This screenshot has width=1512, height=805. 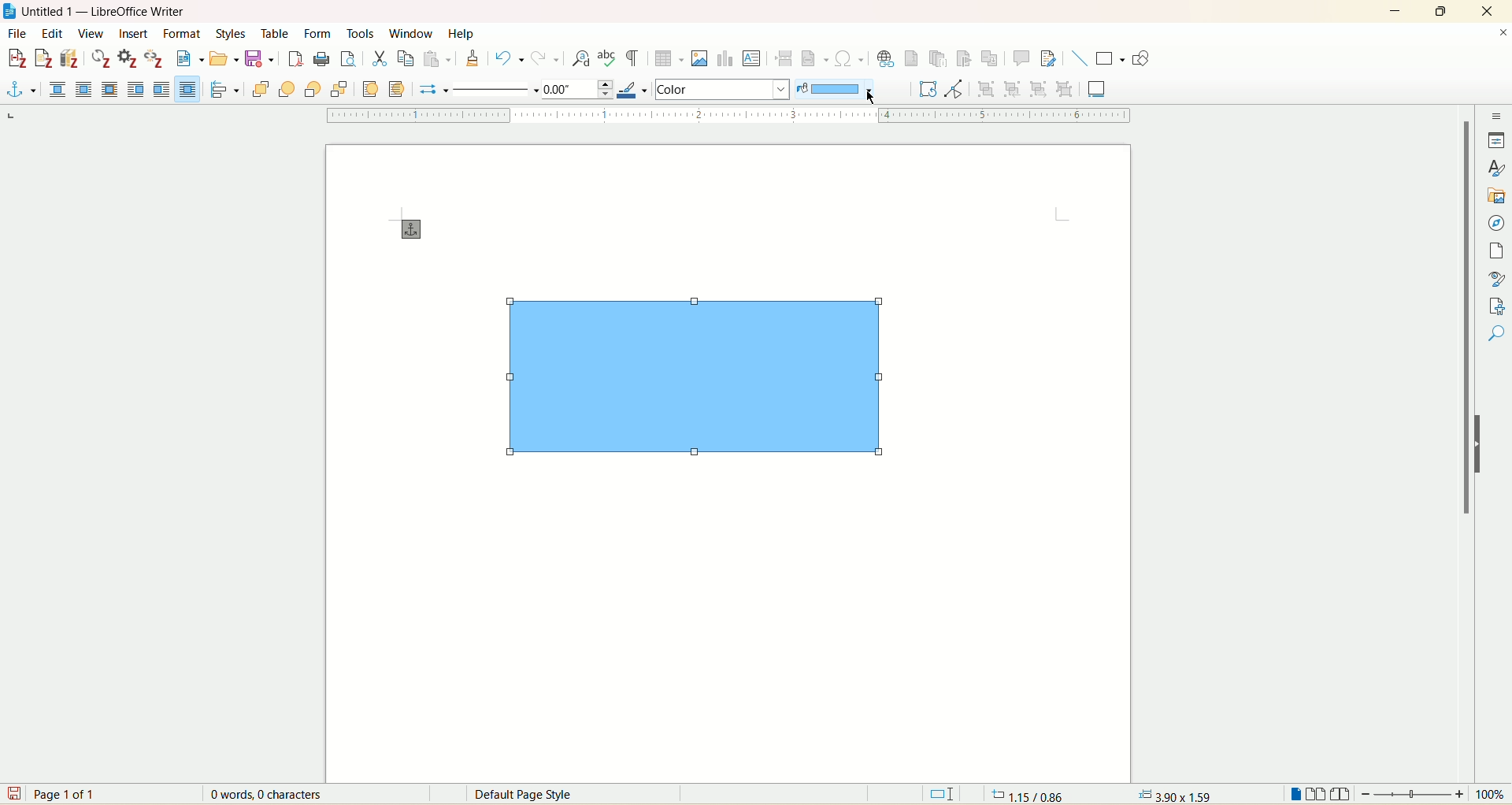 What do you see at coordinates (1013, 88) in the screenshot?
I see `enter group` at bounding box center [1013, 88].